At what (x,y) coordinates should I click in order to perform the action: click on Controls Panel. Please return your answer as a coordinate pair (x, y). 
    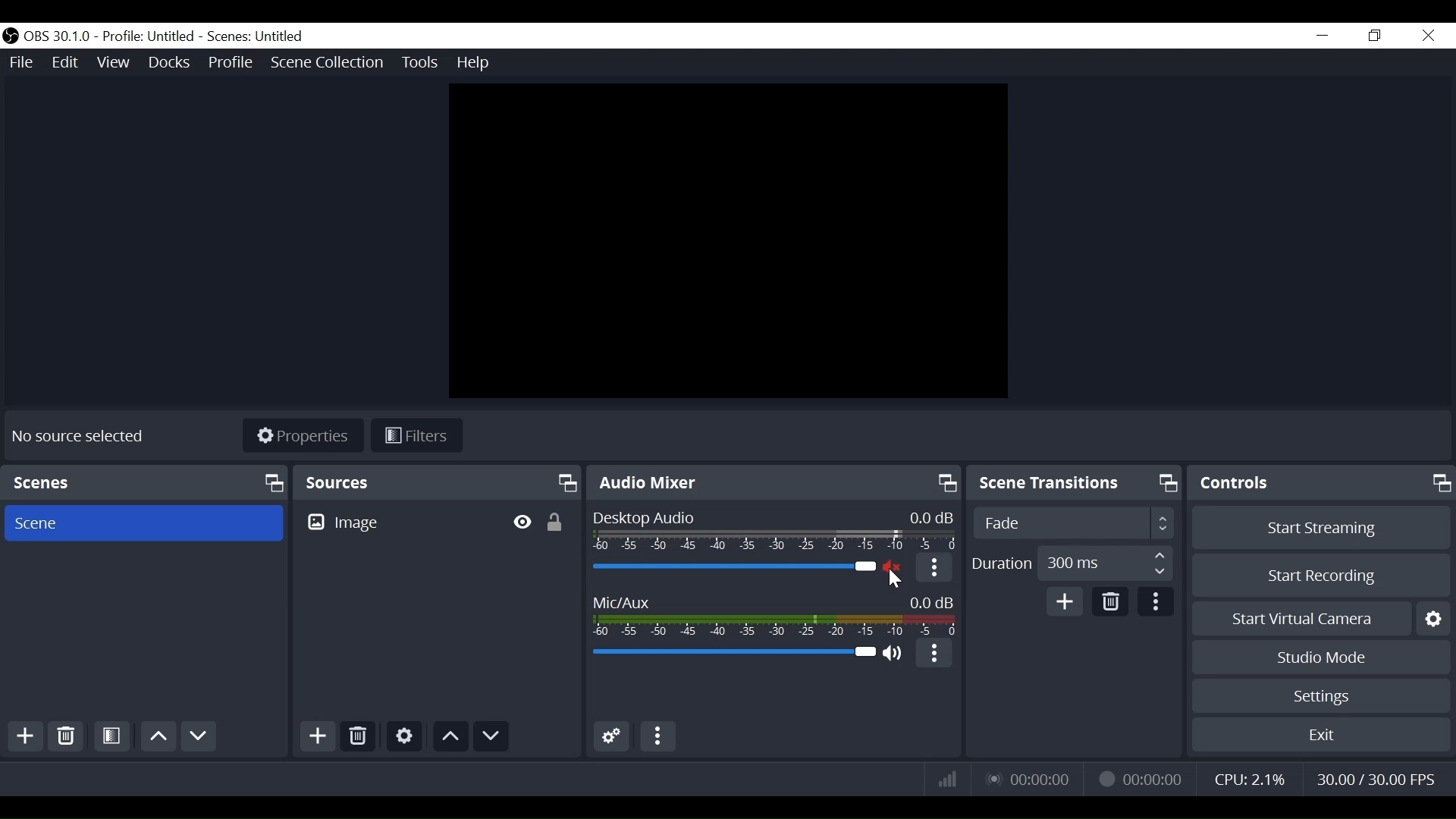
    Looking at the image, I should click on (1323, 483).